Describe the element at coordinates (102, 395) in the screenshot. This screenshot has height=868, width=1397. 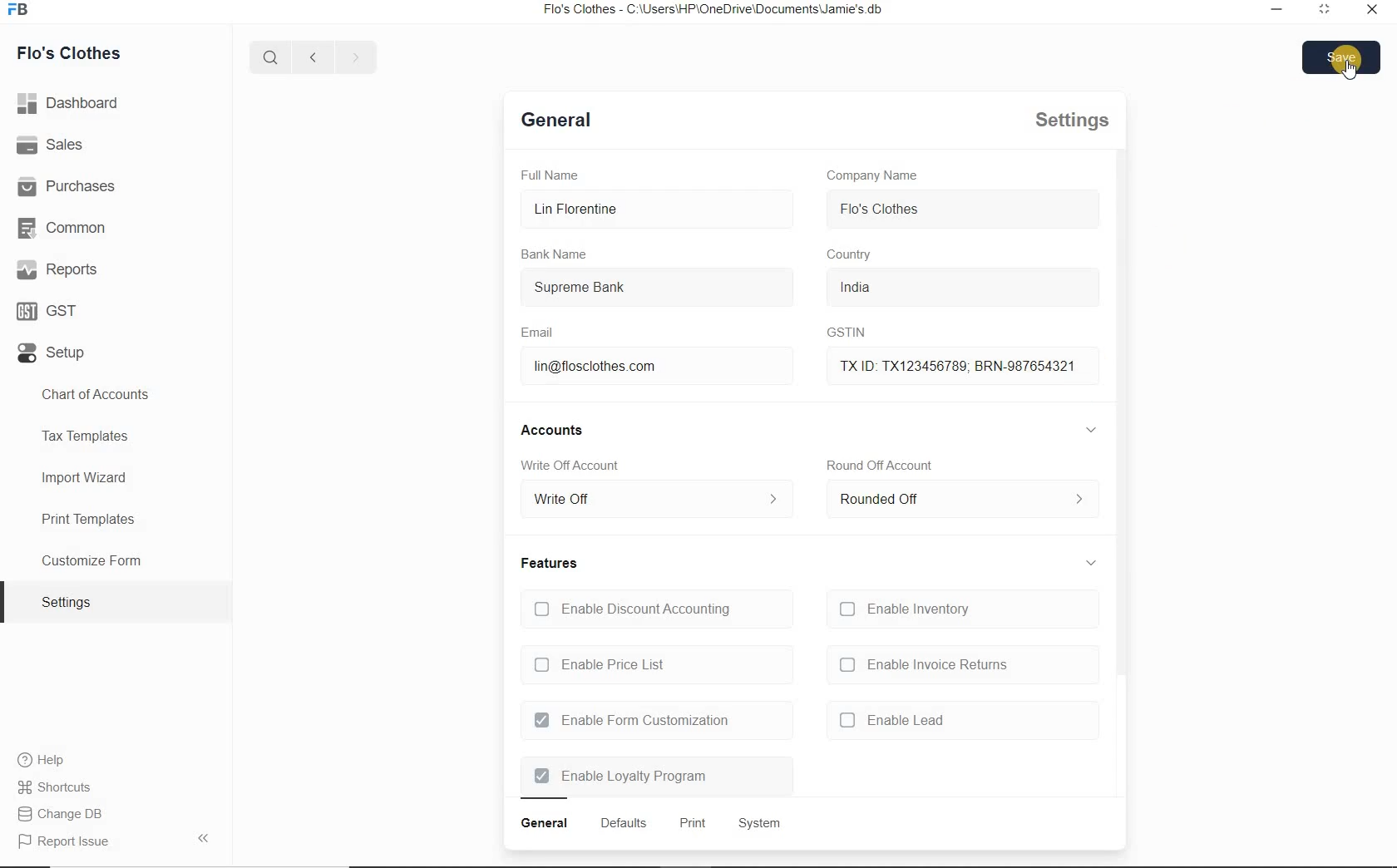
I see `Chart of Accounts` at that location.